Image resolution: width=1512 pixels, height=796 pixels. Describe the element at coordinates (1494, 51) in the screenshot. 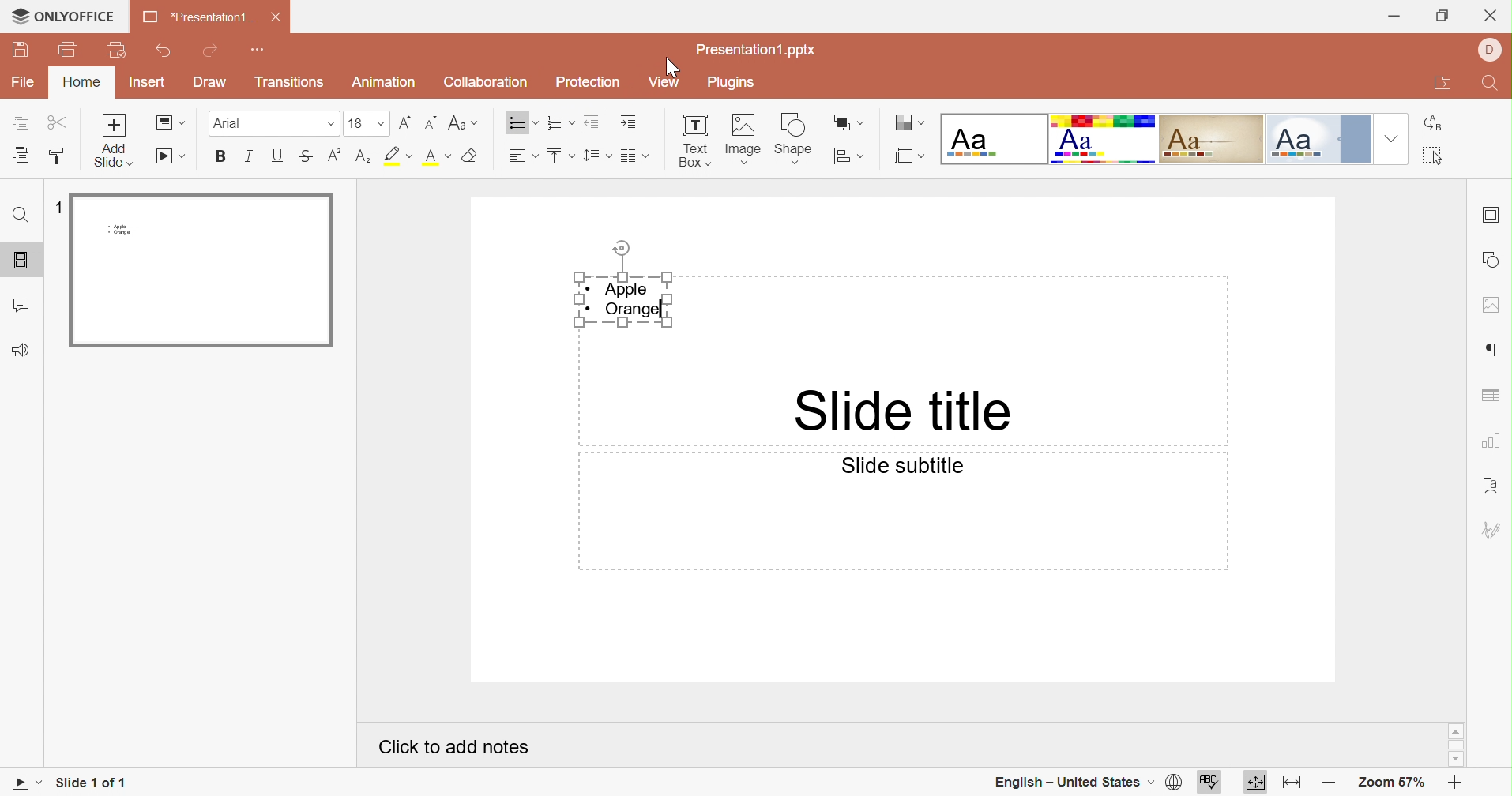

I see `DELL` at that location.